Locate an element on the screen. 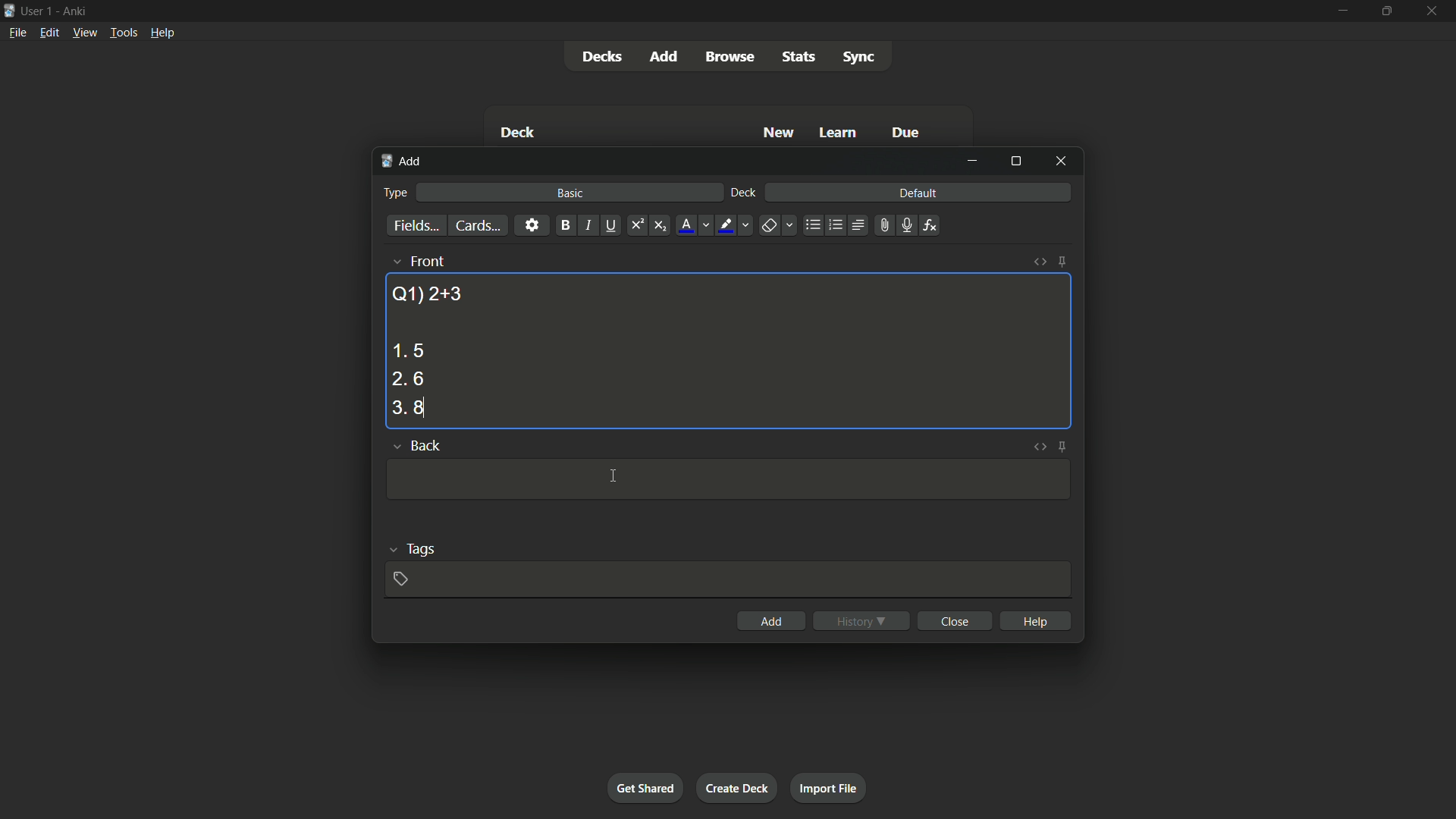 The width and height of the screenshot is (1456, 819). ordered list is located at coordinates (836, 225).